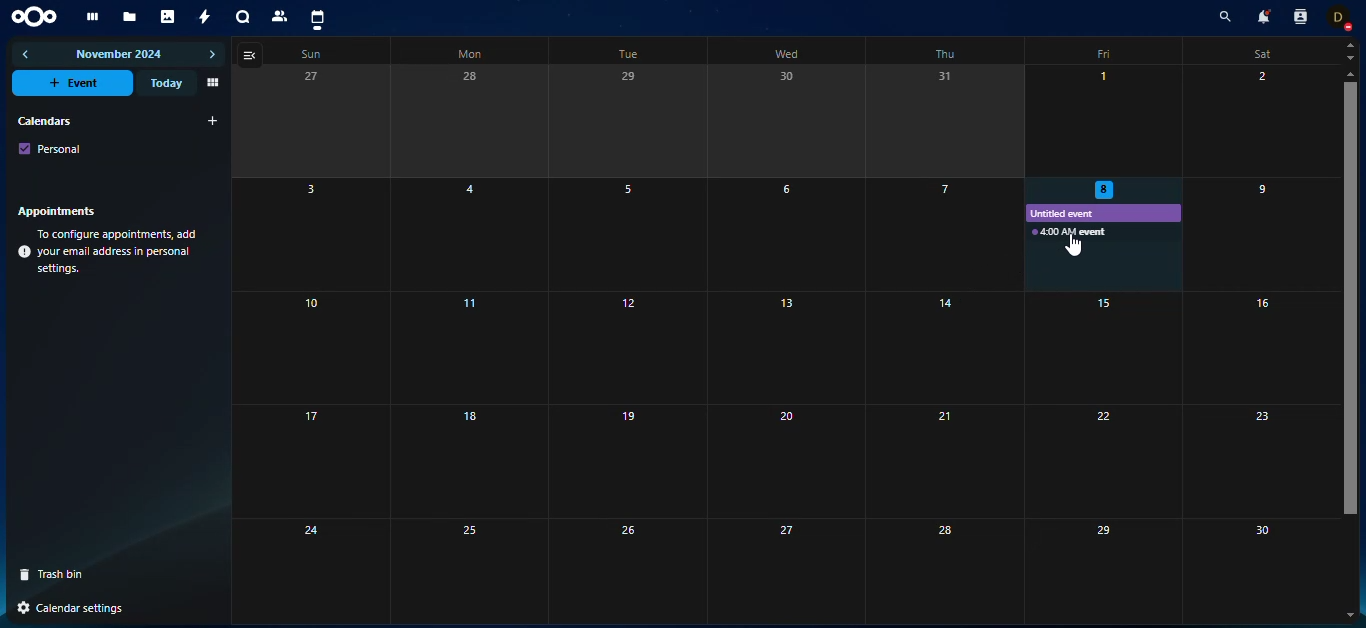 The width and height of the screenshot is (1366, 628). What do you see at coordinates (945, 55) in the screenshot?
I see `thu` at bounding box center [945, 55].